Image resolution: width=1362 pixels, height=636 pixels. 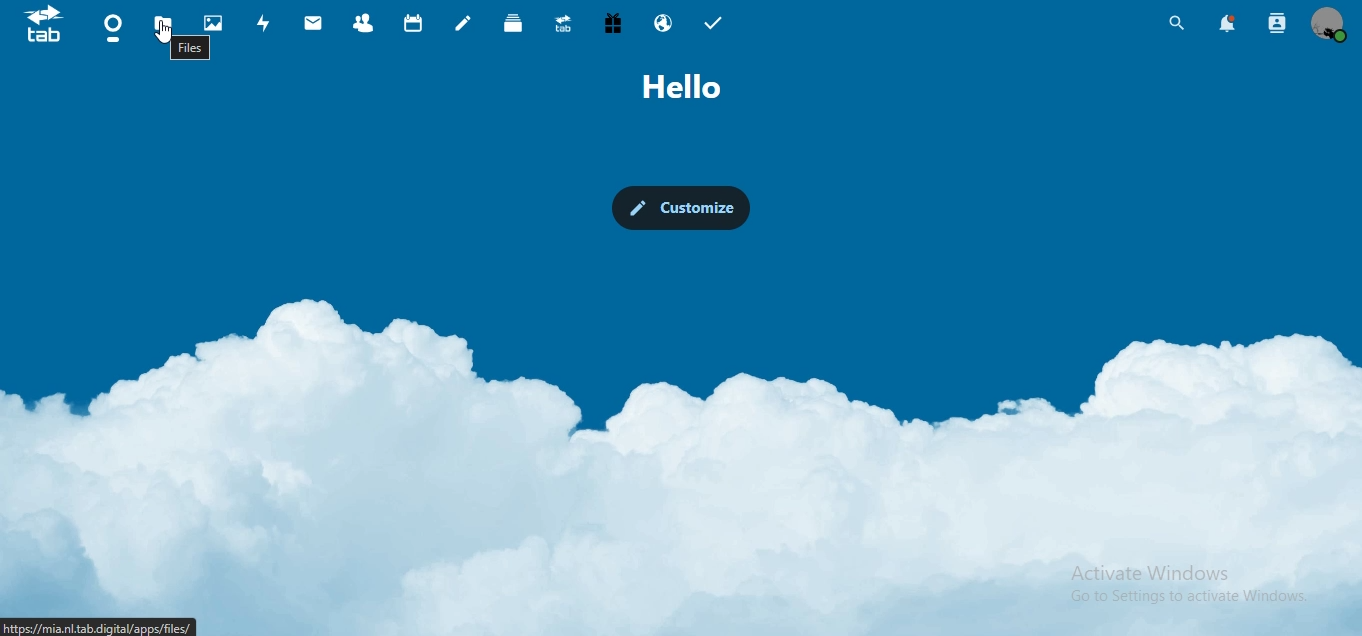 What do you see at coordinates (1330, 23) in the screenshot?
I see `view profile` at bounding box center [1330, 23].